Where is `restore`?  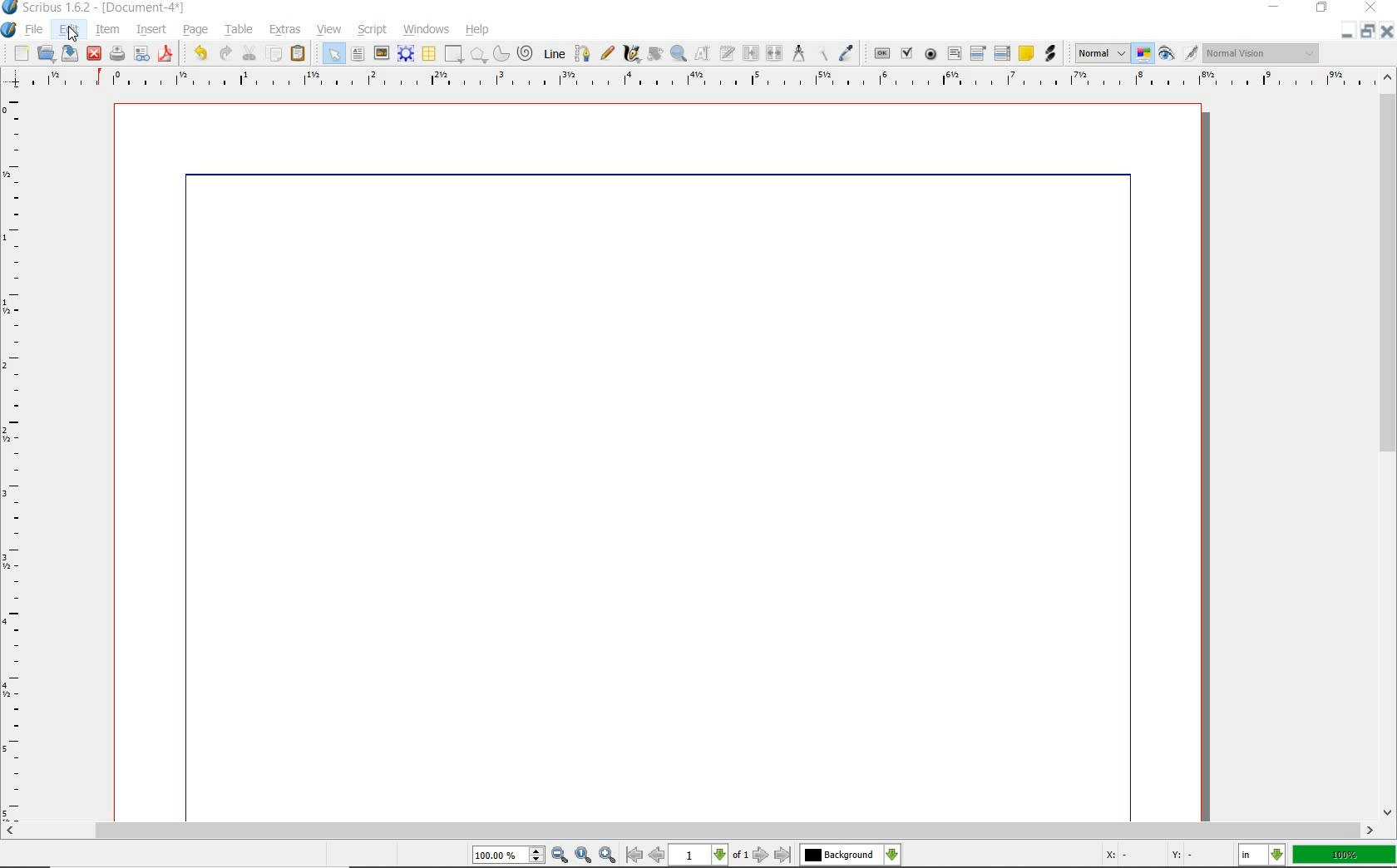
restore is located at coordinates (1370, 32).